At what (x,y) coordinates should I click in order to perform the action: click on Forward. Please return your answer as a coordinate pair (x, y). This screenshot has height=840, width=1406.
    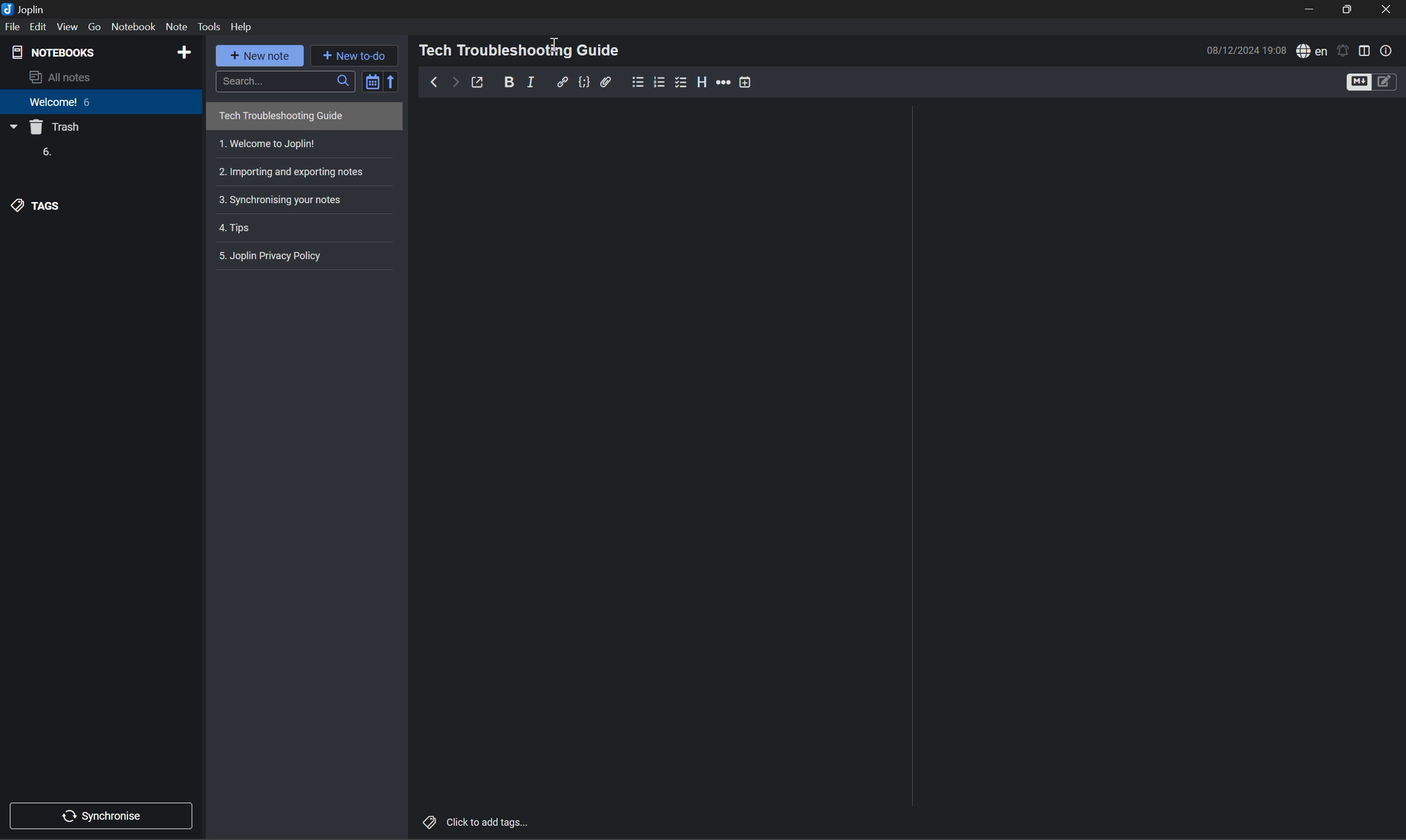
    Looking at the image, I should click on (452, 83).